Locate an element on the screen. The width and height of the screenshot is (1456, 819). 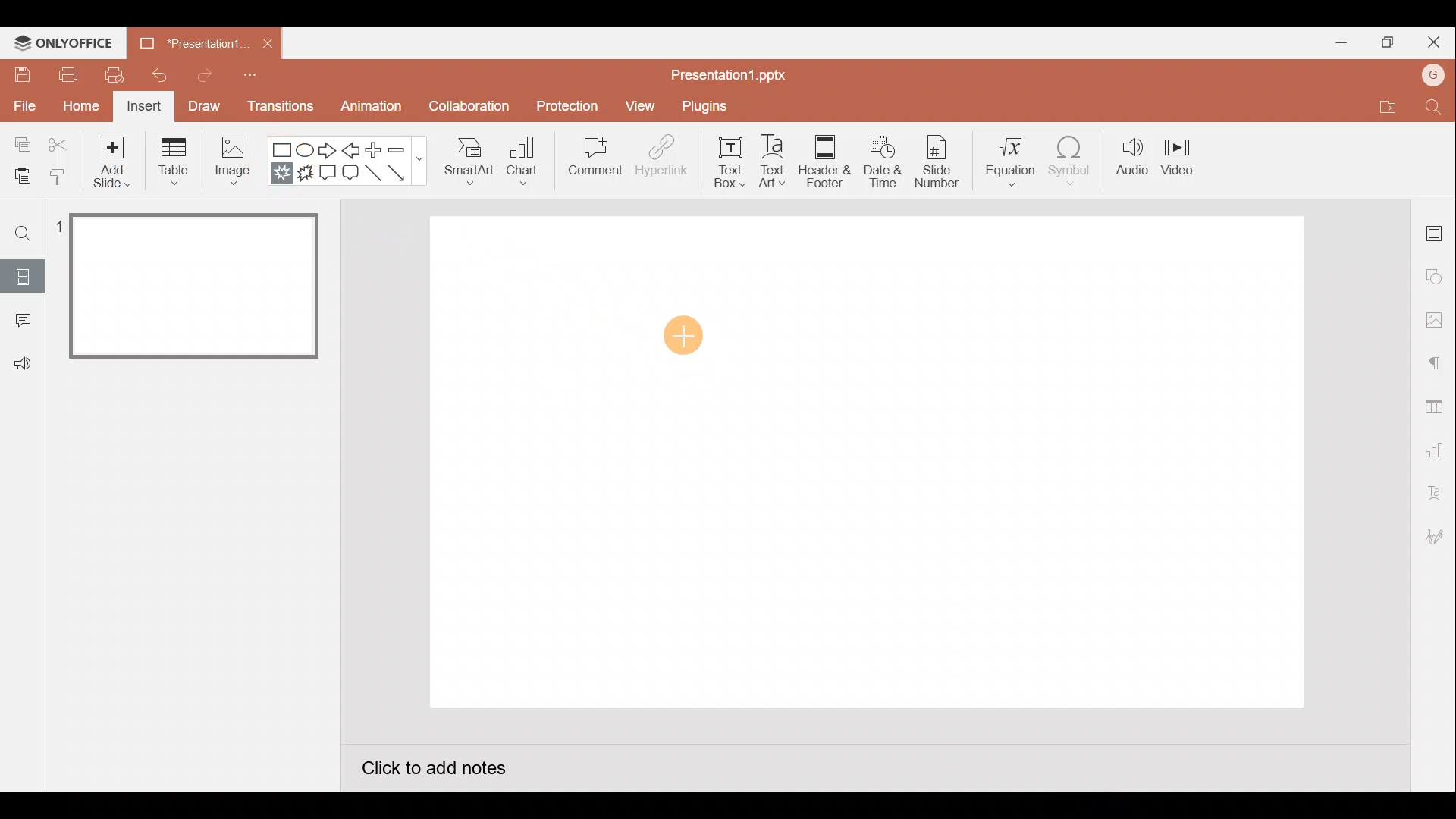
Copy style is located at coordinates (64, 179).